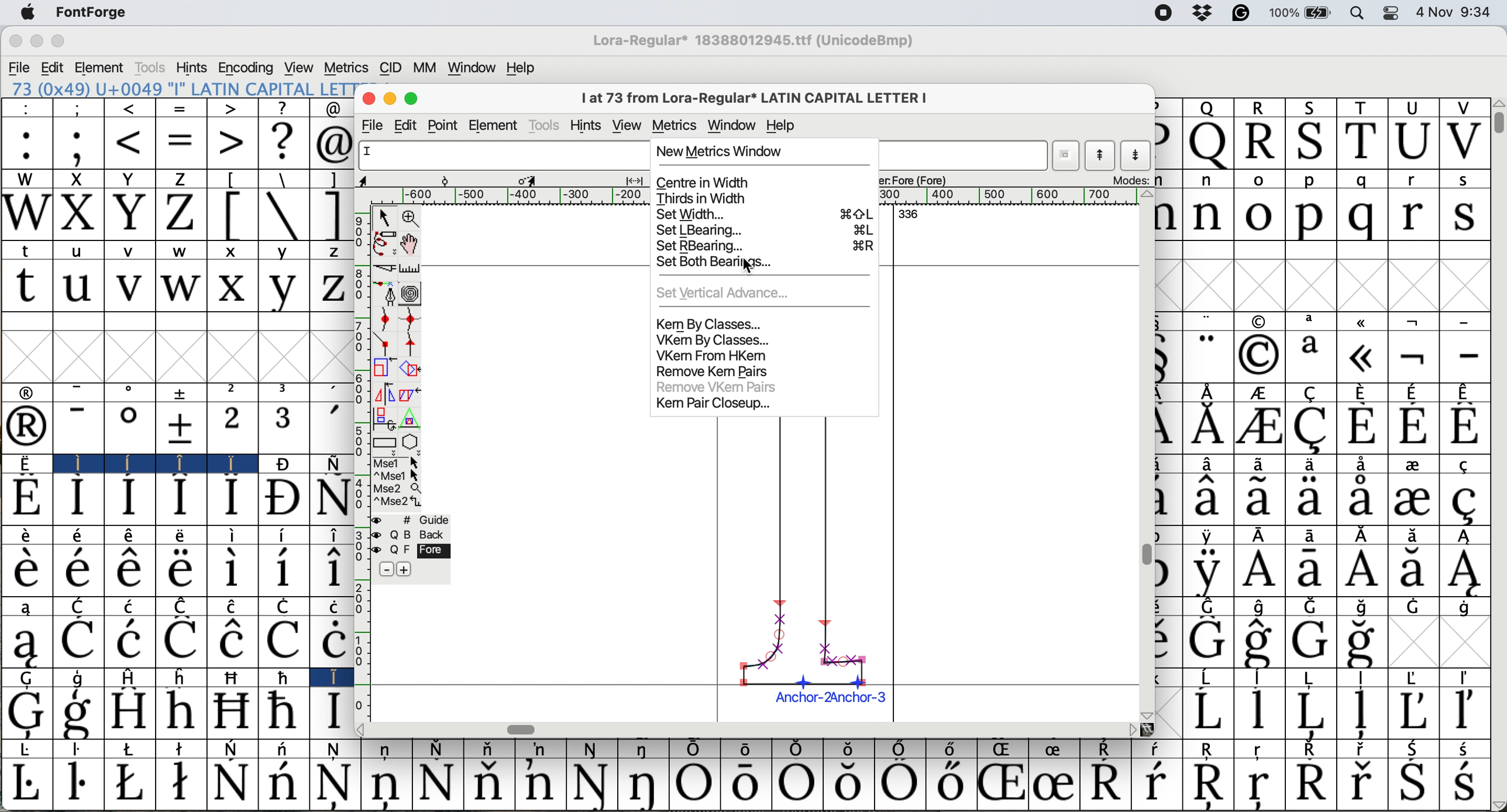 The image size is (1507, 812). I want to click on , so click(181, 461).